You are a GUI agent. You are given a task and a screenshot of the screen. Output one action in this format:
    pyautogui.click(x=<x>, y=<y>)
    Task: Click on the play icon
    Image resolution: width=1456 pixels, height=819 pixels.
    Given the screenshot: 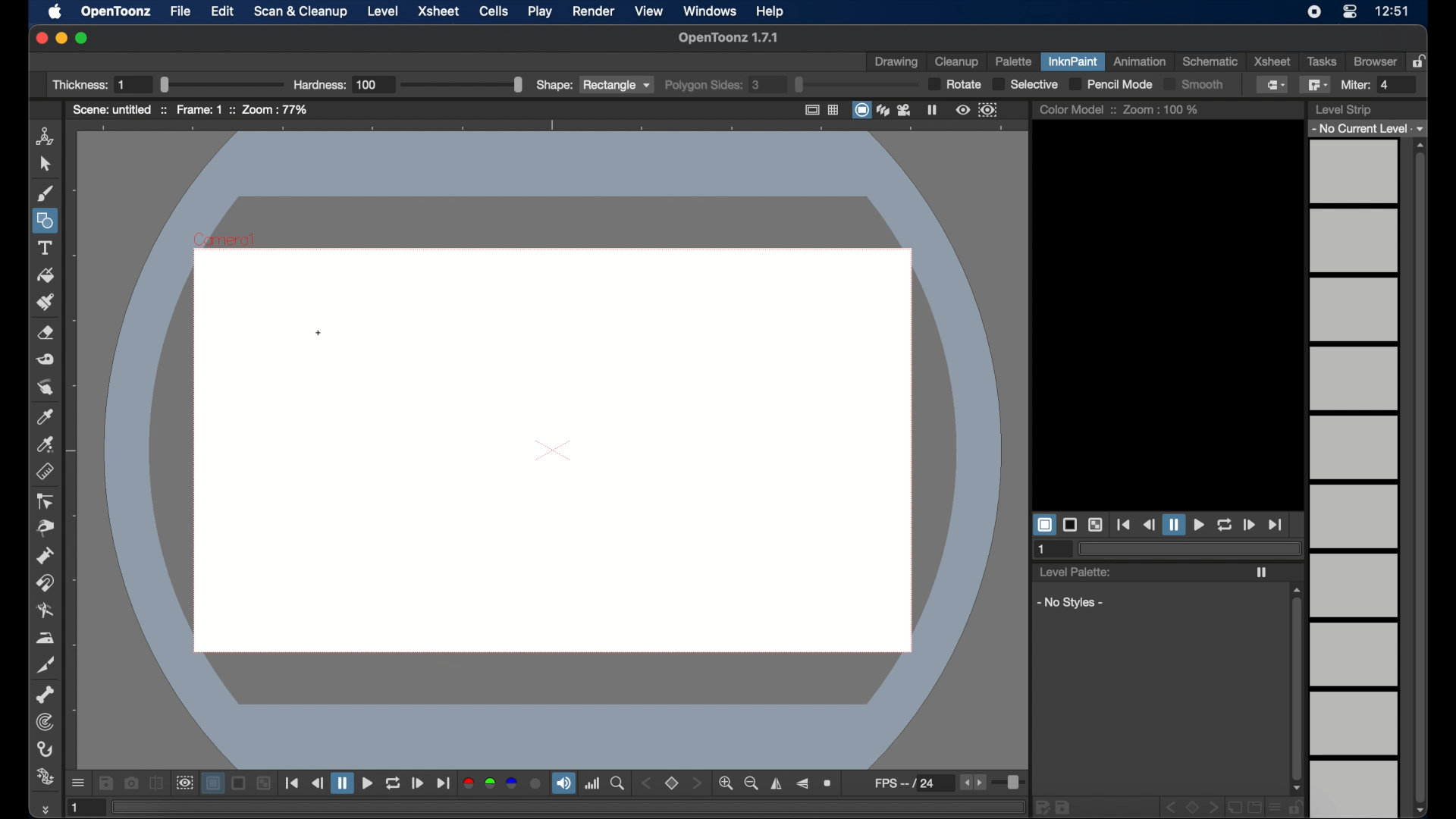 What is the action you would take?
    pyautogui.click(x=1261, y=573)
    